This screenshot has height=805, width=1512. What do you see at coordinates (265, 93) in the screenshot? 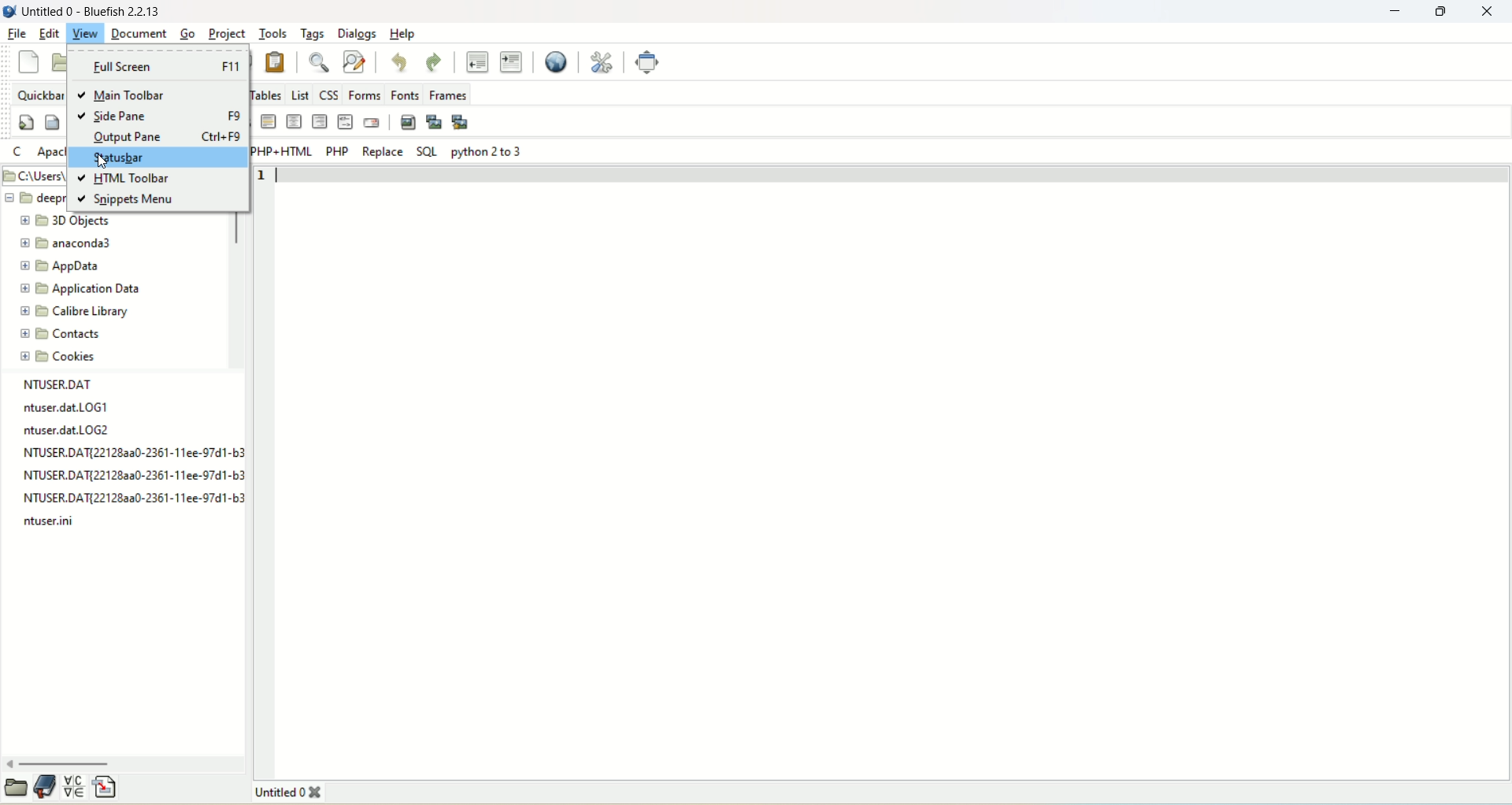
I see `tables` at bounding box center [265, 93].